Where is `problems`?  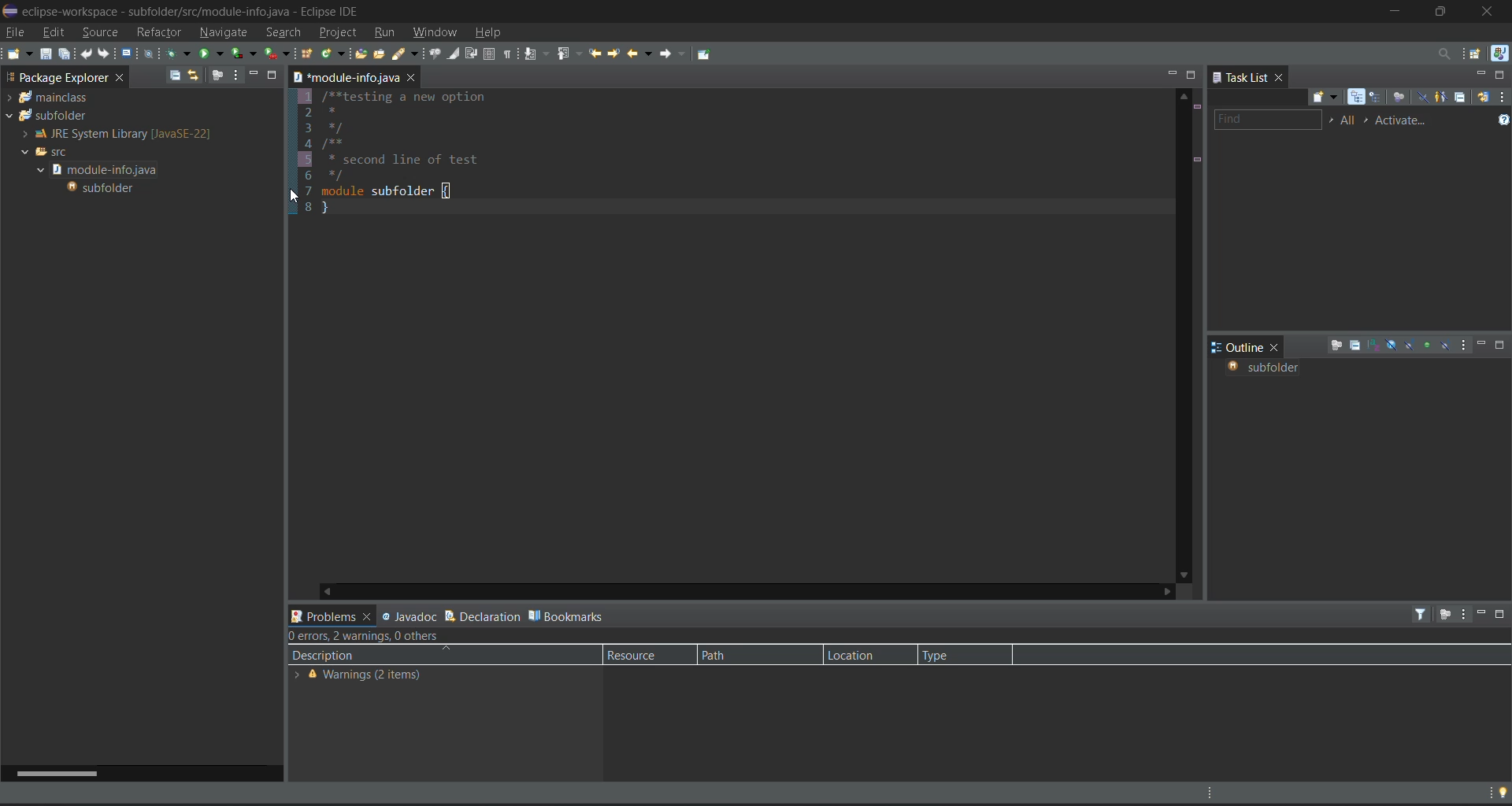
problems is located at coordinates (332, 615).